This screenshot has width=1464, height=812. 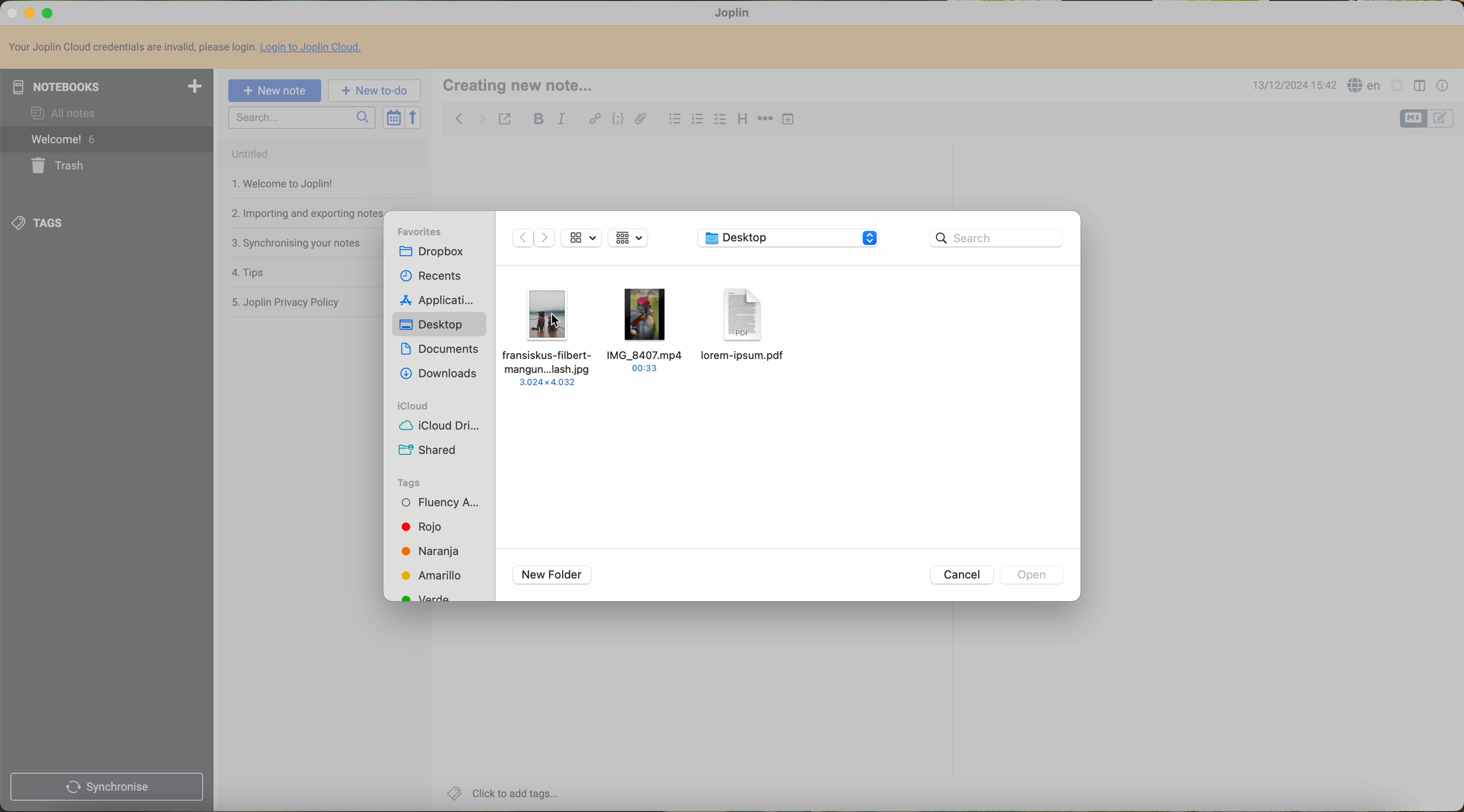 What do you see at coordinates (440, 374) in the screenshot?
I see `downloads` at bounding box center [440, 374].